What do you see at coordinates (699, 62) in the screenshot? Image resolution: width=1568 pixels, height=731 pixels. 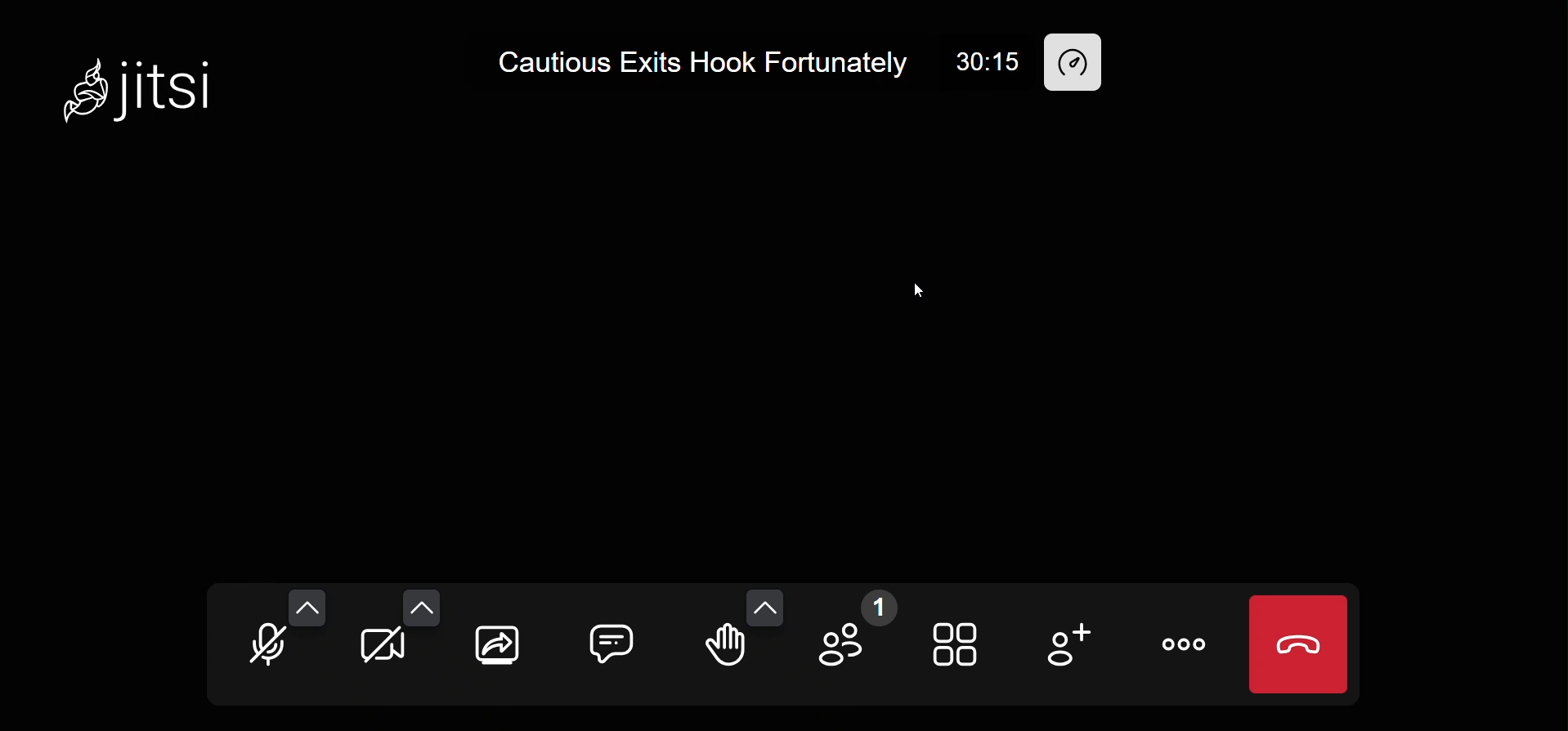 I see `Cautious Exits Hook Fortunately` at bounding box center [699, 62].